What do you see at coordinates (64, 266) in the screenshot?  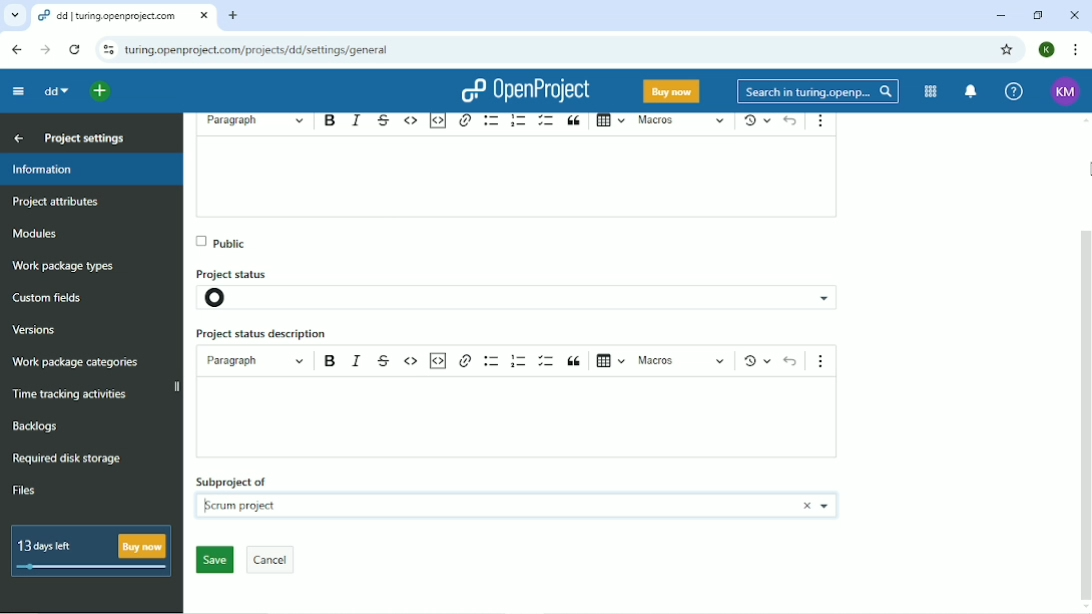 I see `Work package types` at bounding box center [64, 266].